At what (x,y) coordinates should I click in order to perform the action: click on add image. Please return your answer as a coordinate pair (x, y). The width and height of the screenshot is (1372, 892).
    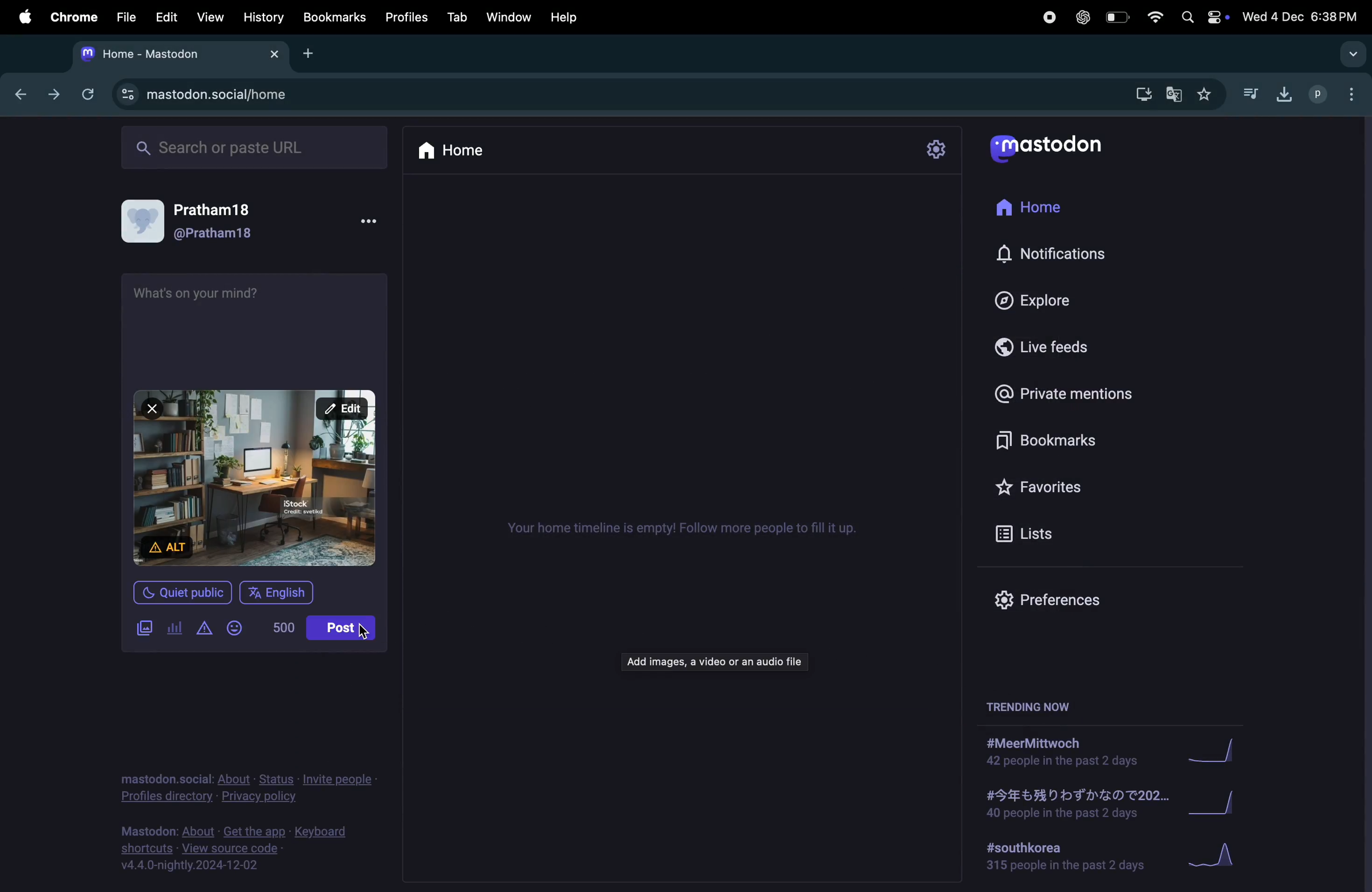
    Looking at the image, I should click on (140, 629).